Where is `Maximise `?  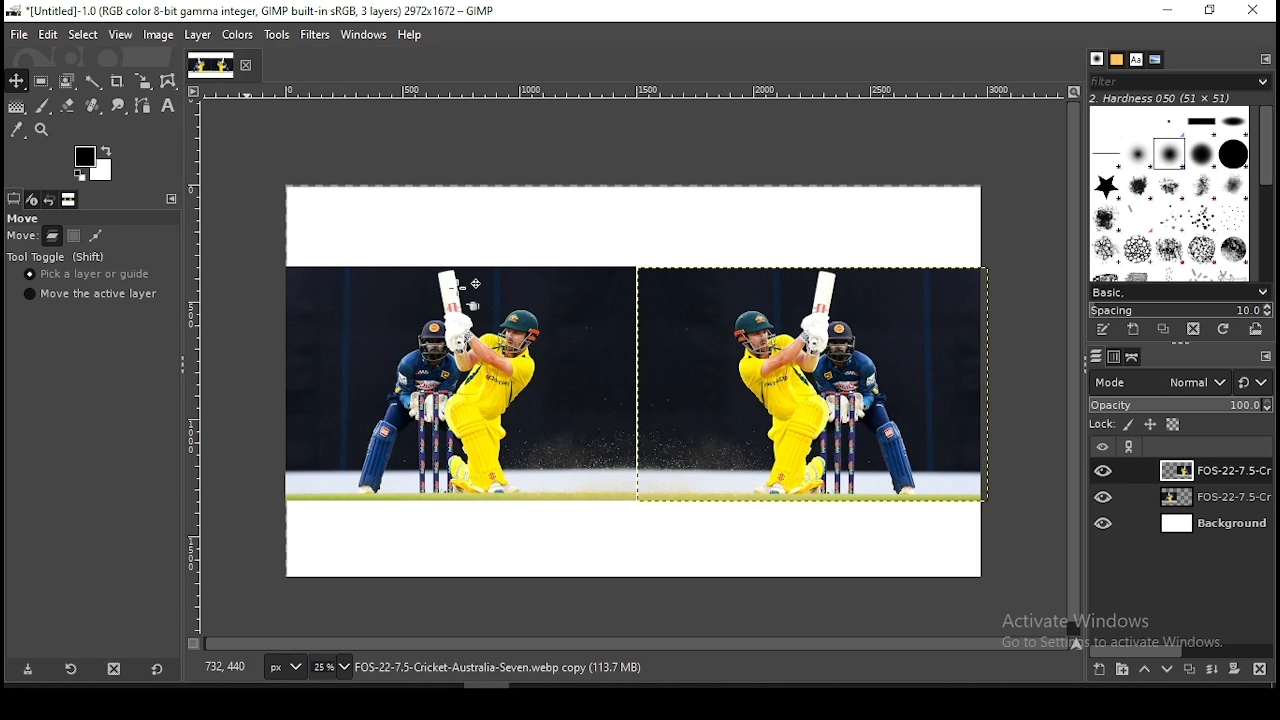
Maximise  is located at coordinates (1211, 10).